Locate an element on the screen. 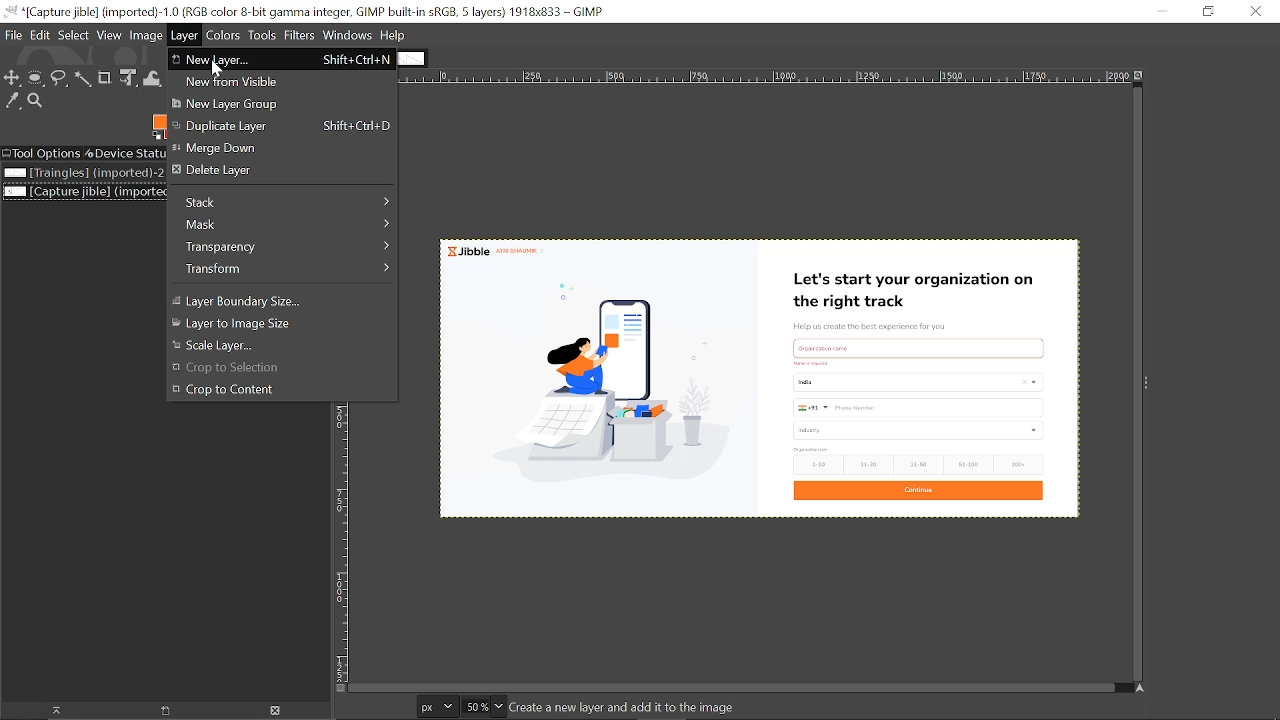 The image size is (1280, 720). Crop to Selection is located at coordinates (268, 366).